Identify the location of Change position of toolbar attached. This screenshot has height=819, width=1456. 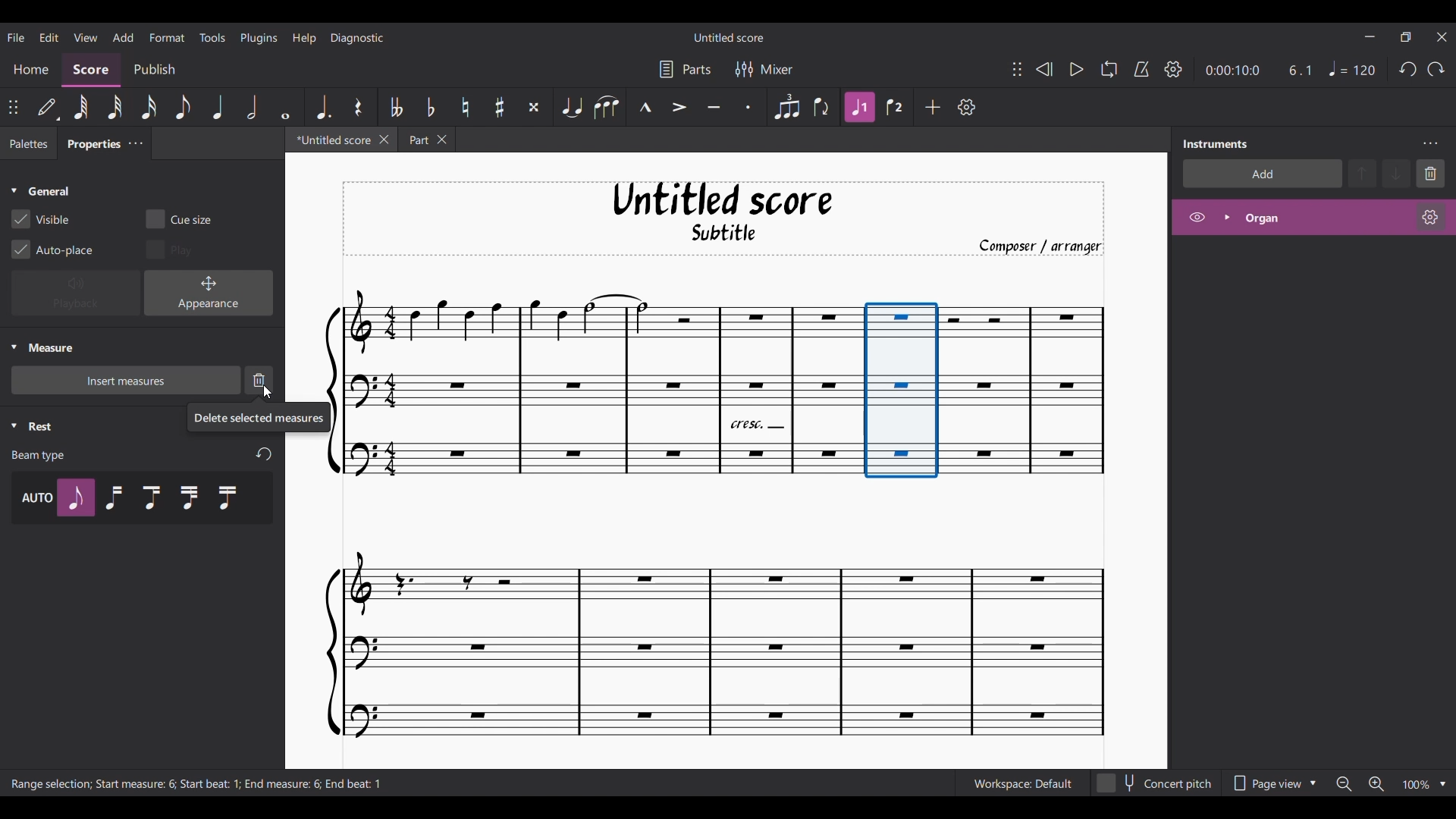
(12, 107).